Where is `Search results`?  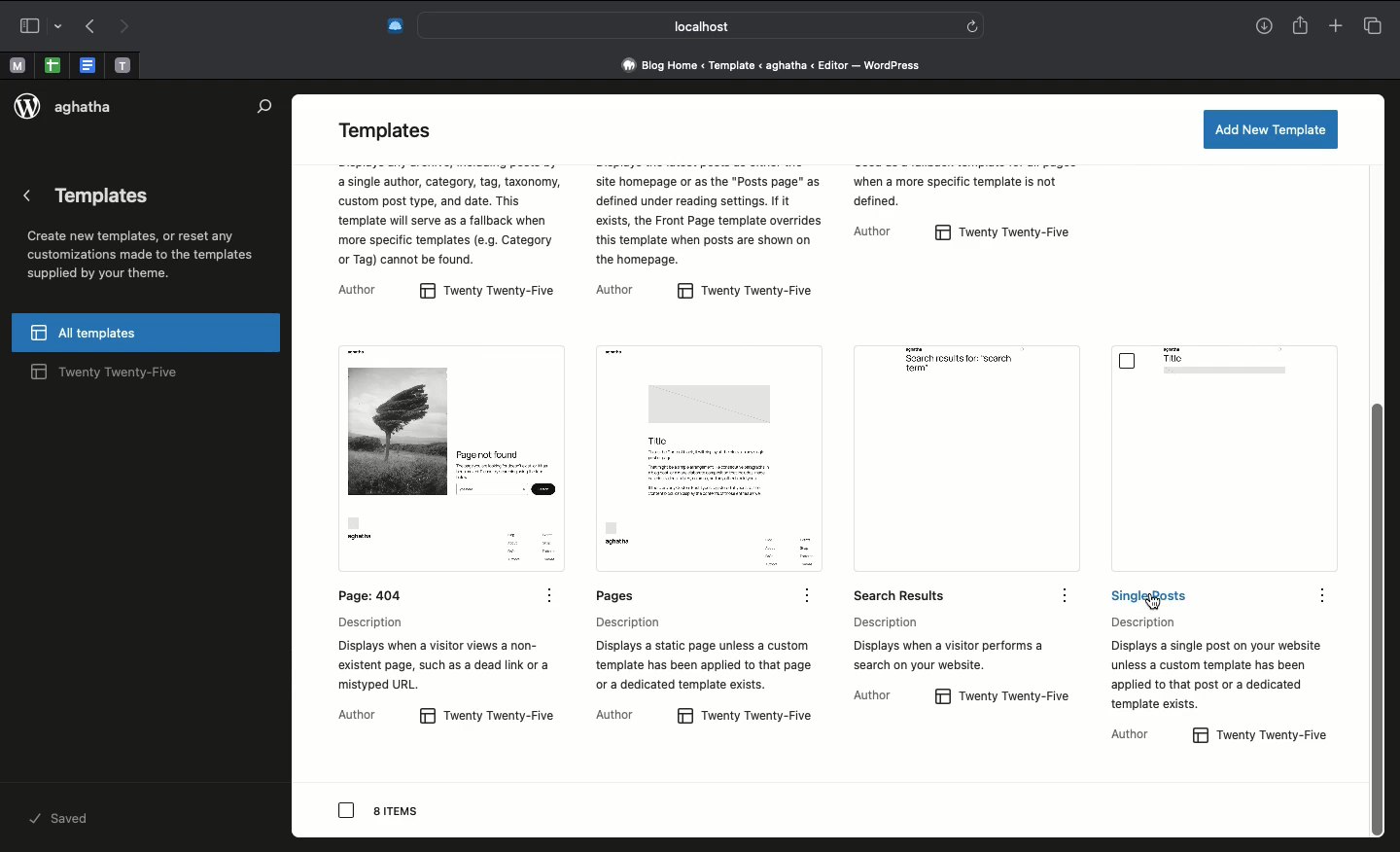 Search results is located at coordinates (962, 479).